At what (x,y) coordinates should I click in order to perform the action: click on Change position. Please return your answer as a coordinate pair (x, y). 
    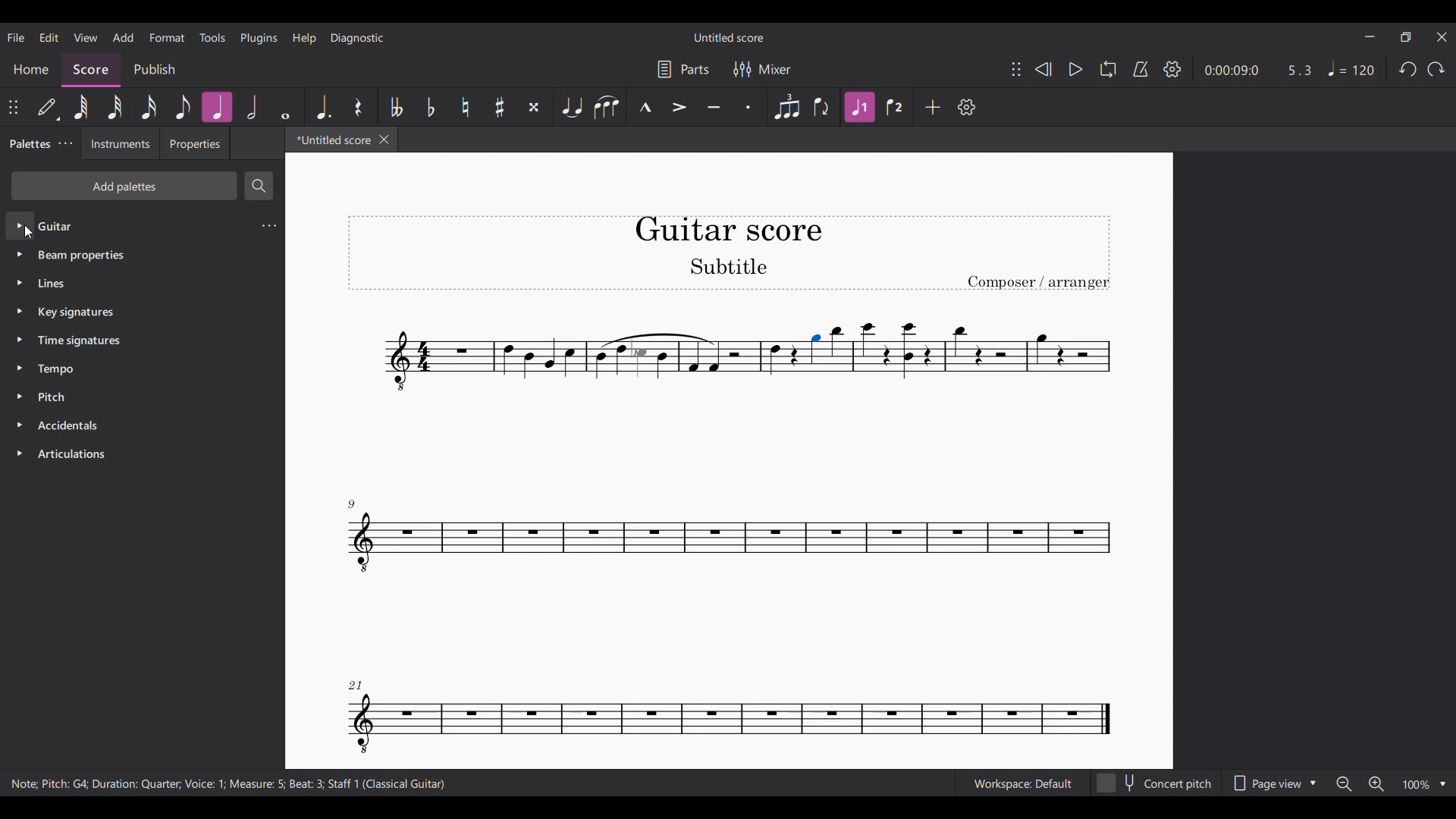
    Looking at the image, I should click on (1016, 69).